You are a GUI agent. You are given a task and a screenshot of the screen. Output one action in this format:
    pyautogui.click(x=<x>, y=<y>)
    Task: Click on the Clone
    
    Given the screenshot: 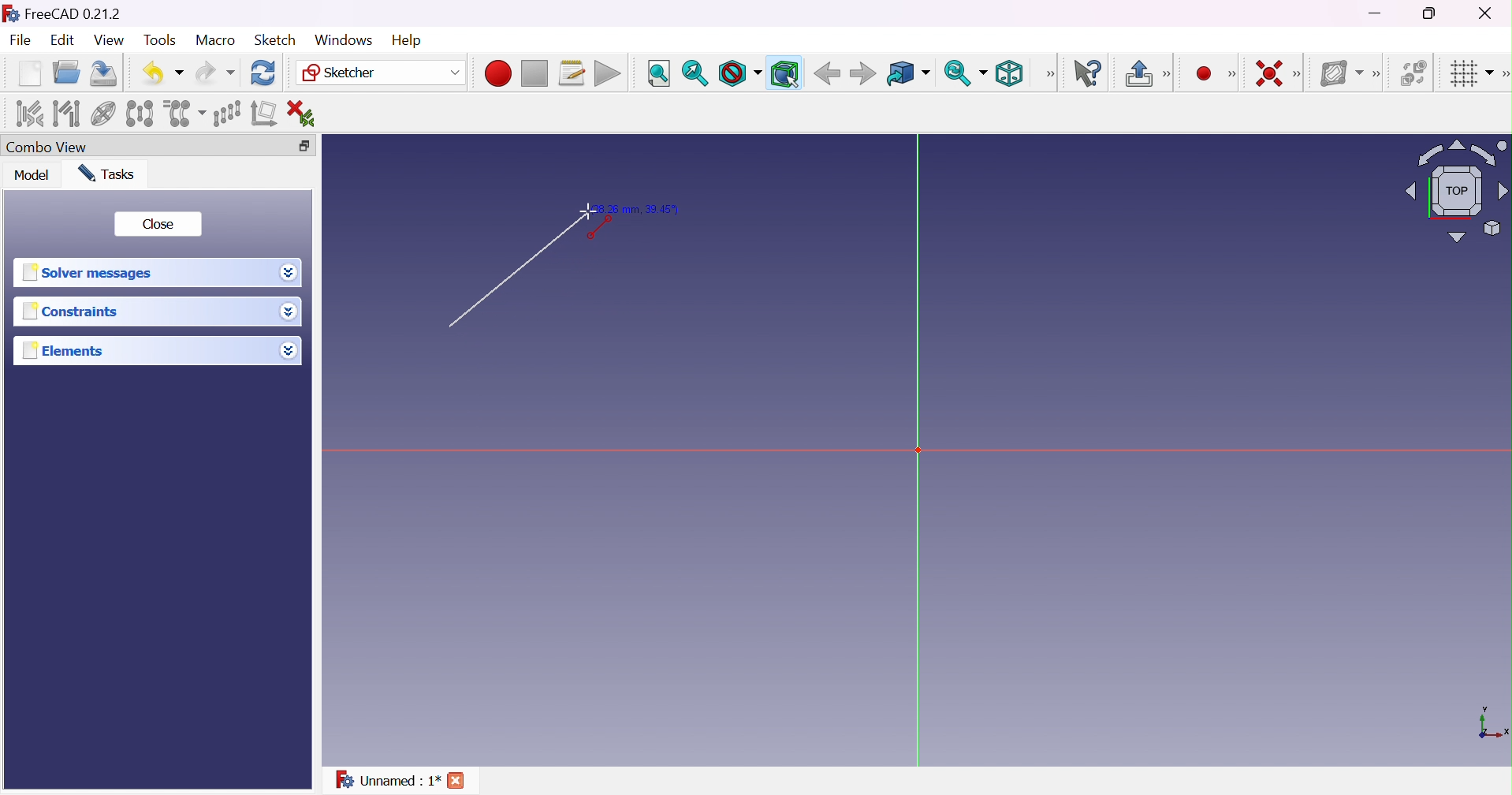 What is the action you would take?
    pyautogui.click(x=184, y=112)
    